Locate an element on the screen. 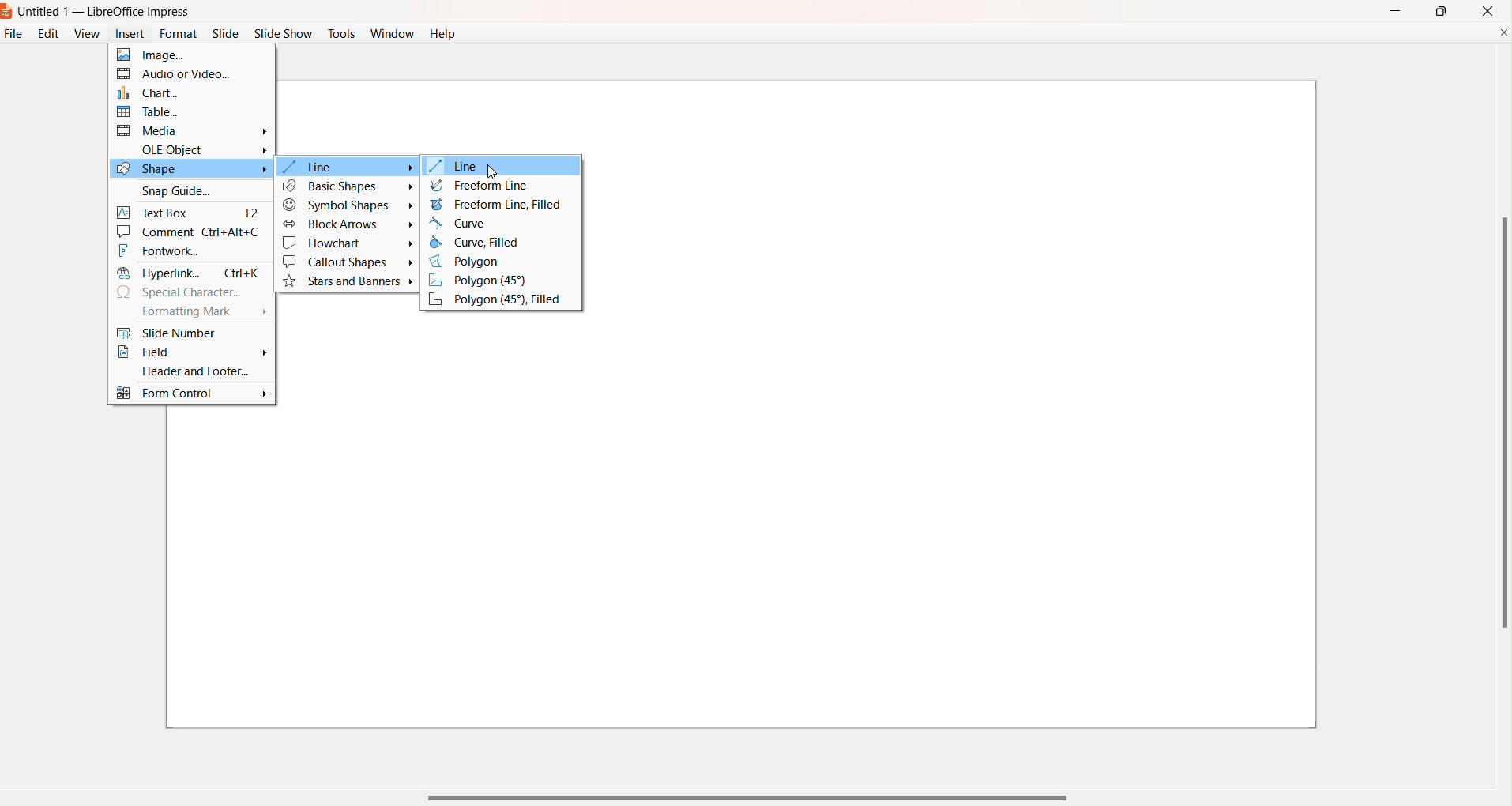  Shape is located at coordinates (190, 169).